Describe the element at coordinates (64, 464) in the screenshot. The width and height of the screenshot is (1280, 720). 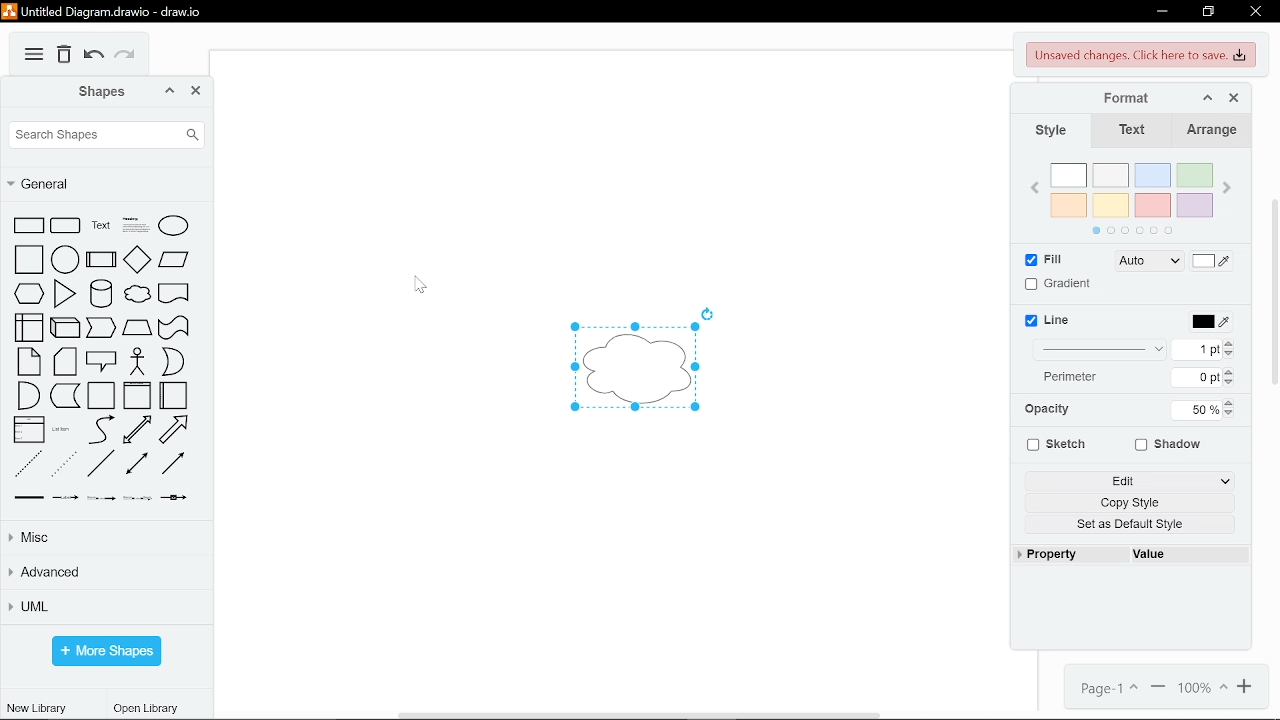
I see `dotted line` at that location.